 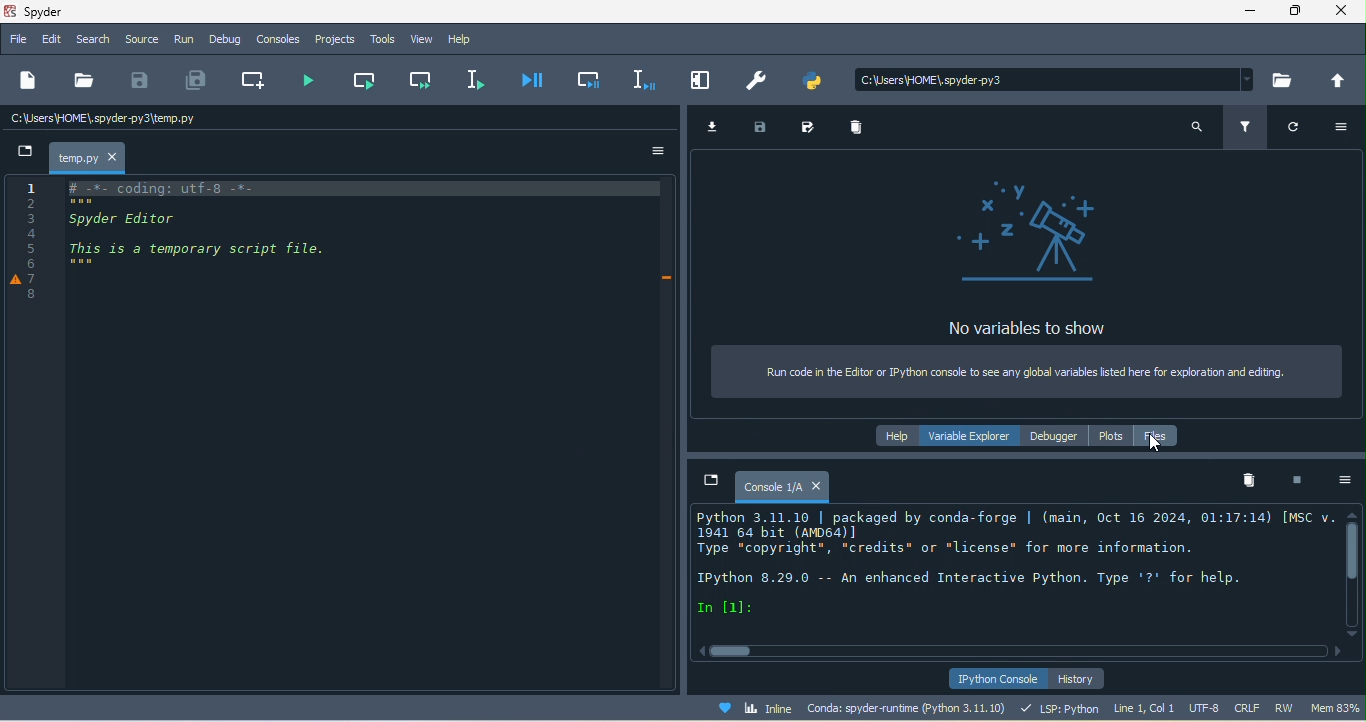 I want to click on option, so click(x=1339, y=128).